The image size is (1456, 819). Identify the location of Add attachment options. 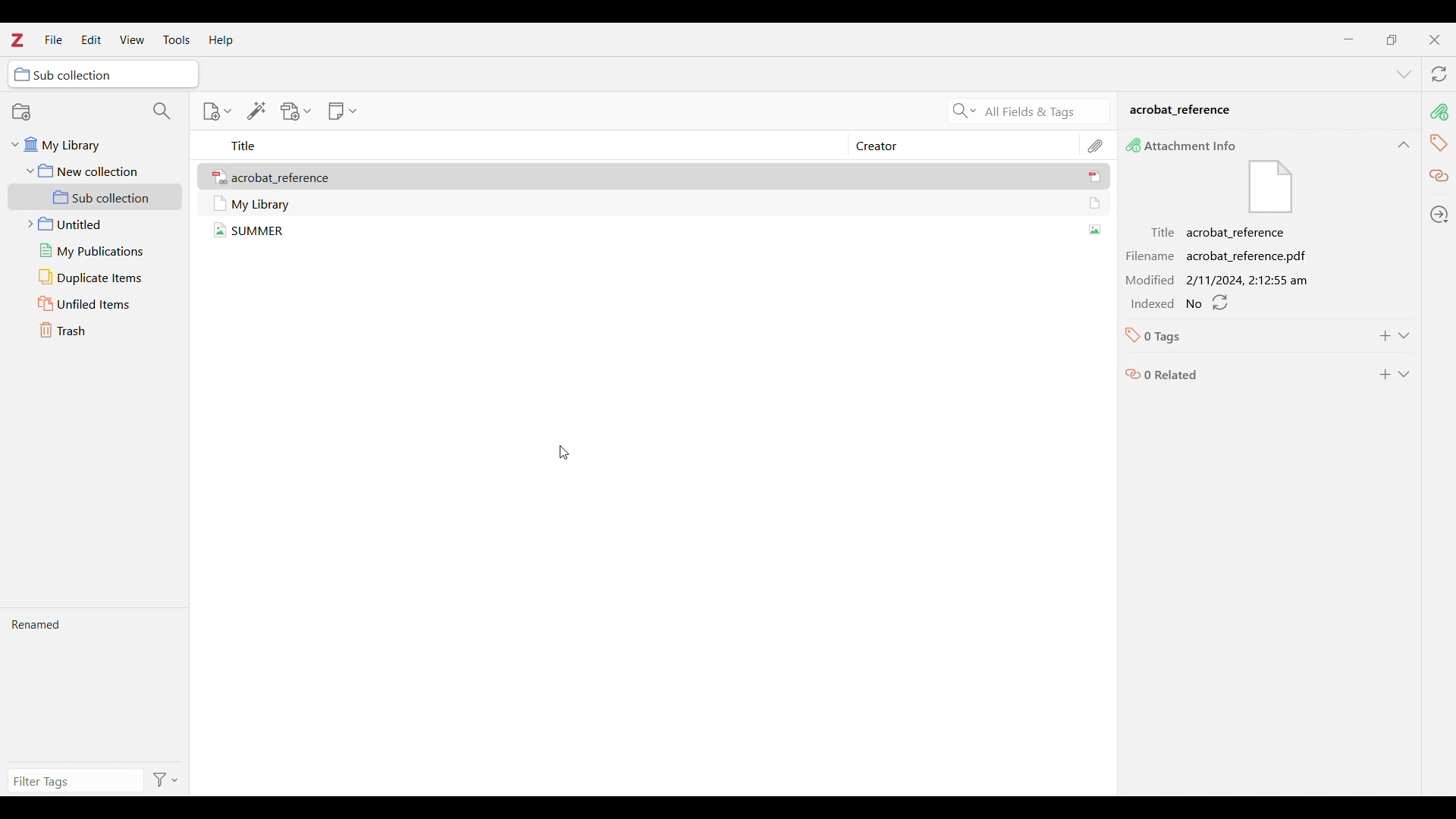
(297, 111).